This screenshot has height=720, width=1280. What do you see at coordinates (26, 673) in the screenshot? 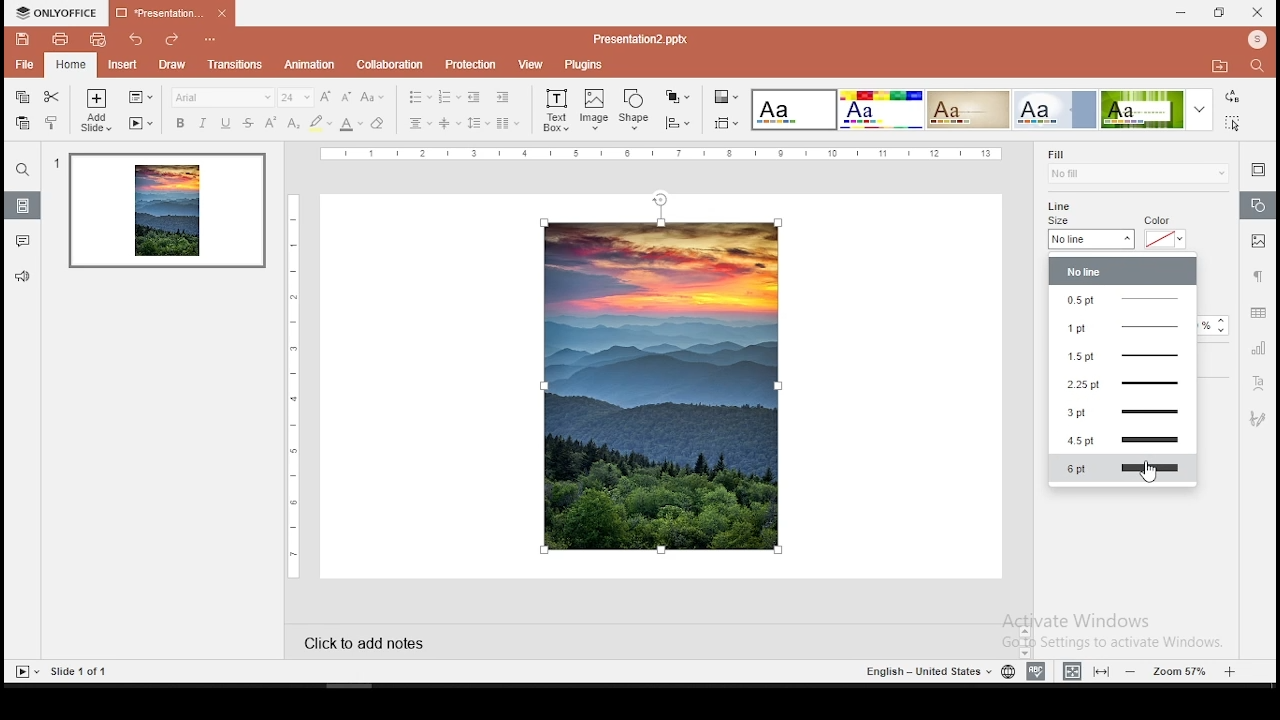
I see `start slideshow` at bounding box center [26, 673].